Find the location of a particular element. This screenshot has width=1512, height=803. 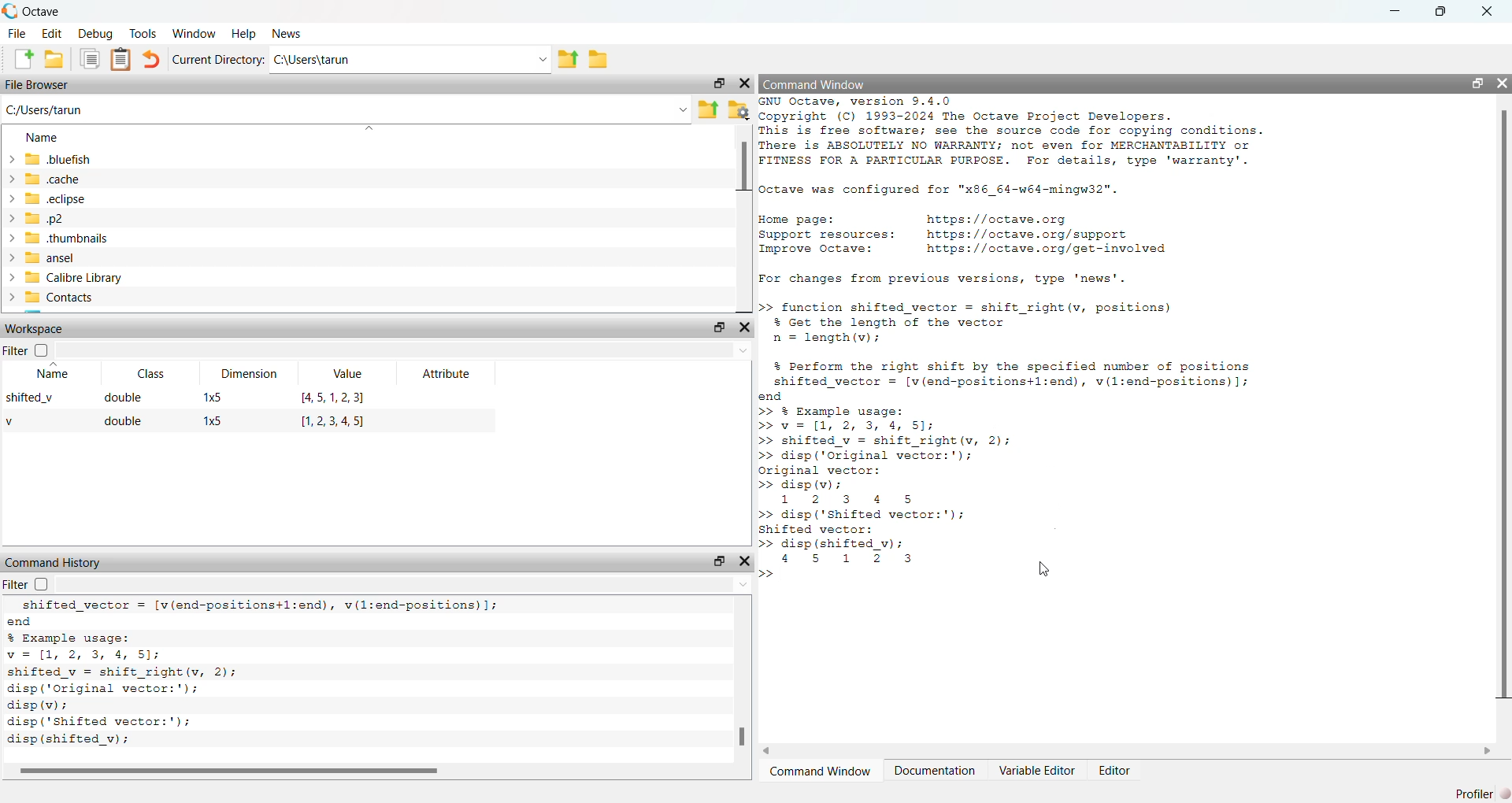

name is located at coordinates (44, 138).